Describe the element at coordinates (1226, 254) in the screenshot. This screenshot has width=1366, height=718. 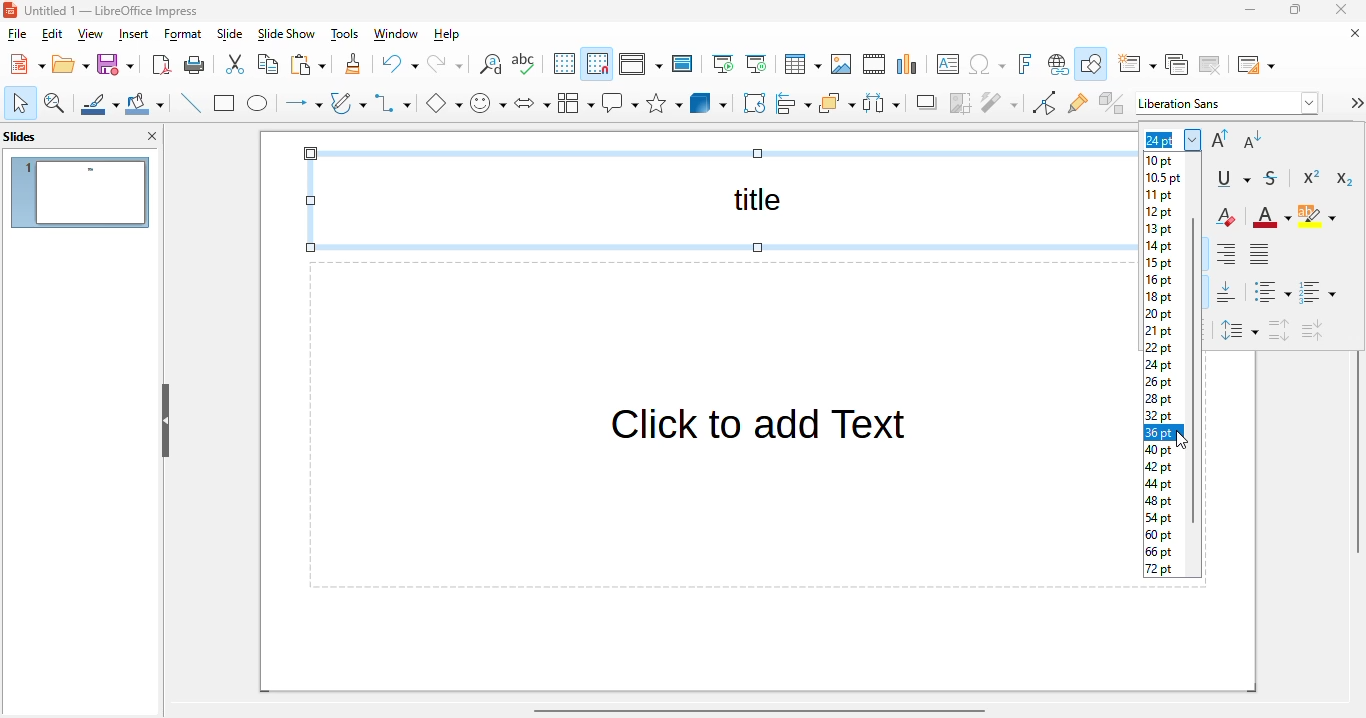
I see `align right` at that location.